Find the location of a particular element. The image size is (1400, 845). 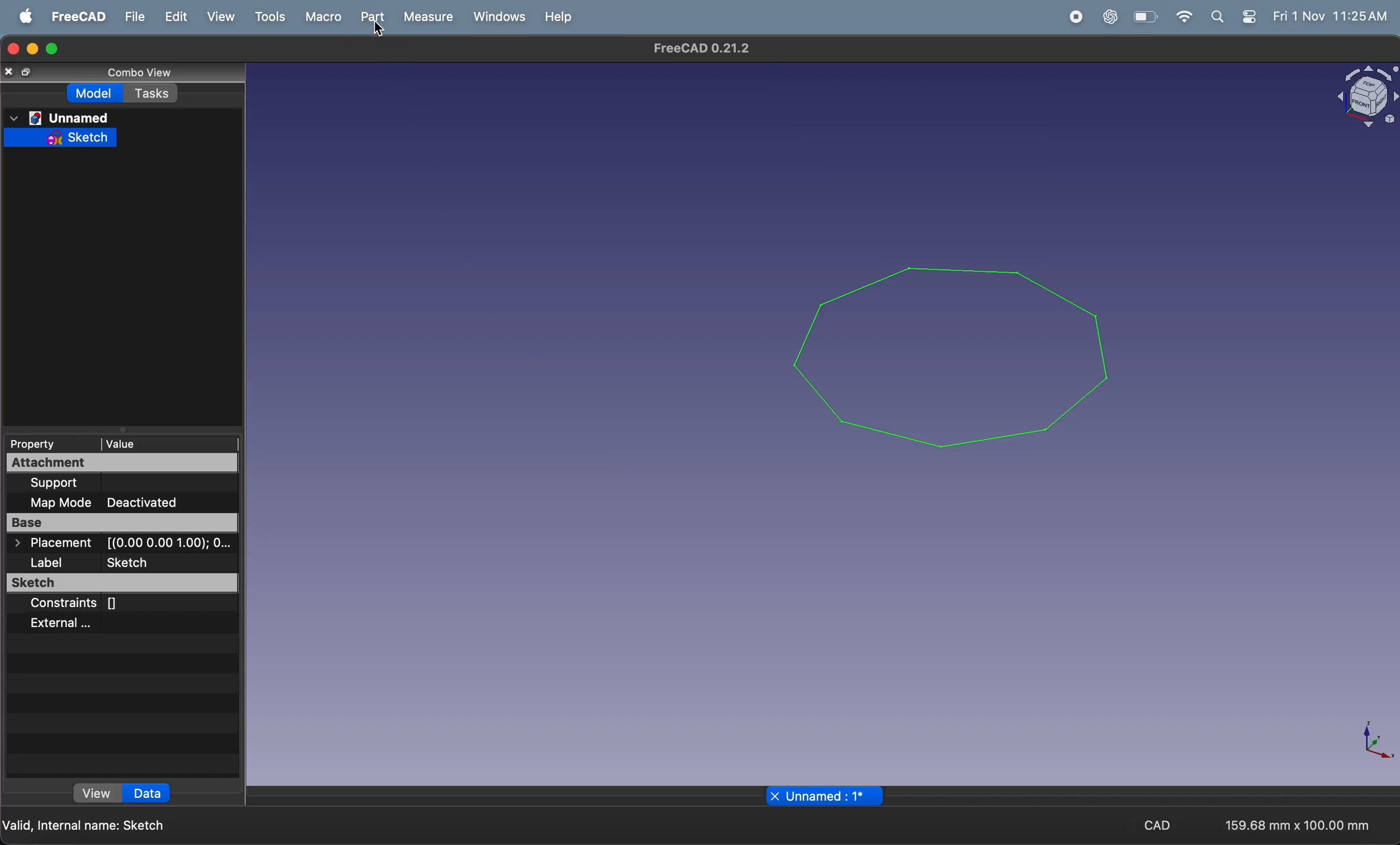

edit is located at coordinates (172, 16).